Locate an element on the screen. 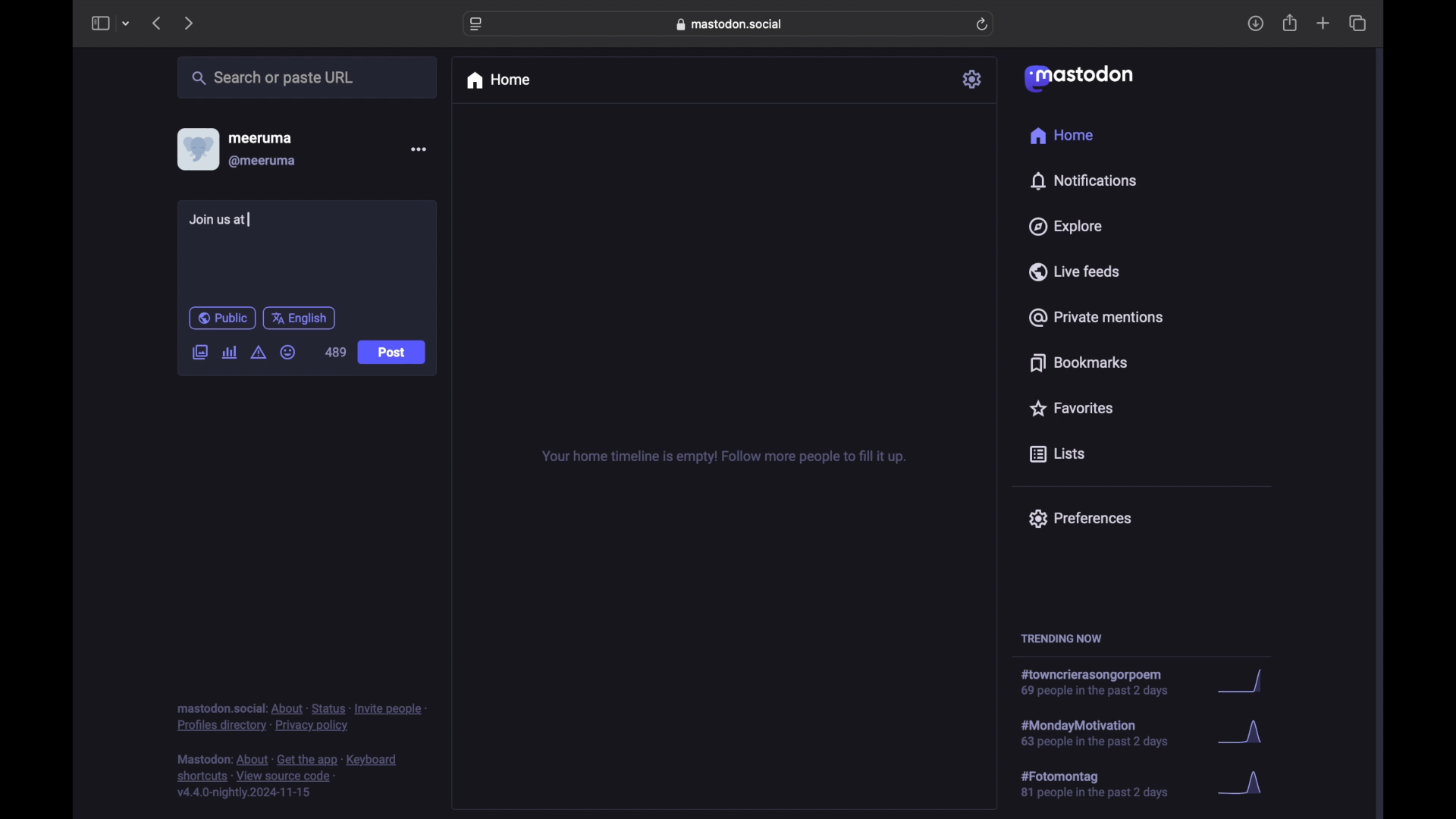  next is located at coordinates (190, 23).